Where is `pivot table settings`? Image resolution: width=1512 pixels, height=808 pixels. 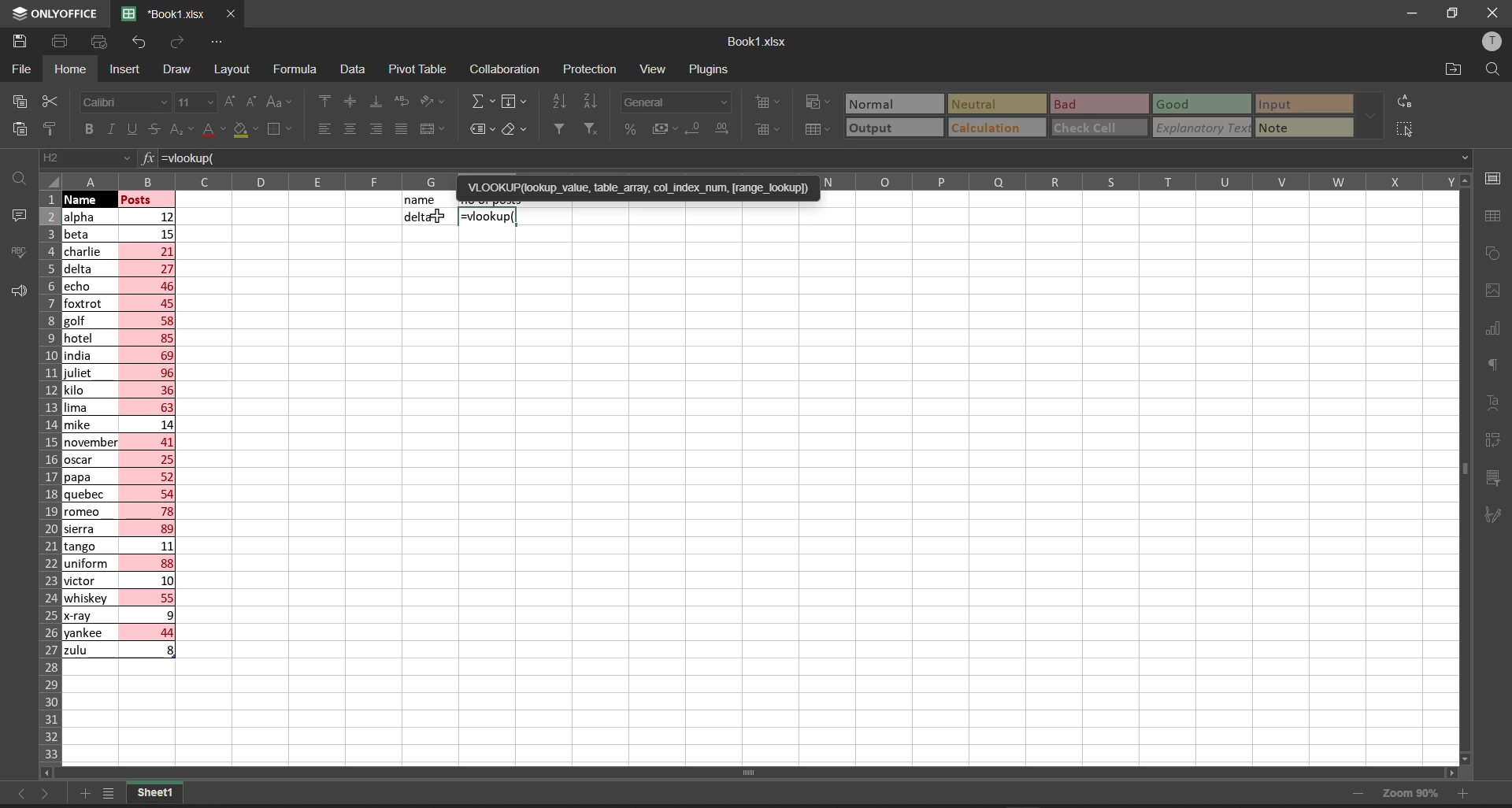 pivot table settings is located at coordinates (1498, 439).